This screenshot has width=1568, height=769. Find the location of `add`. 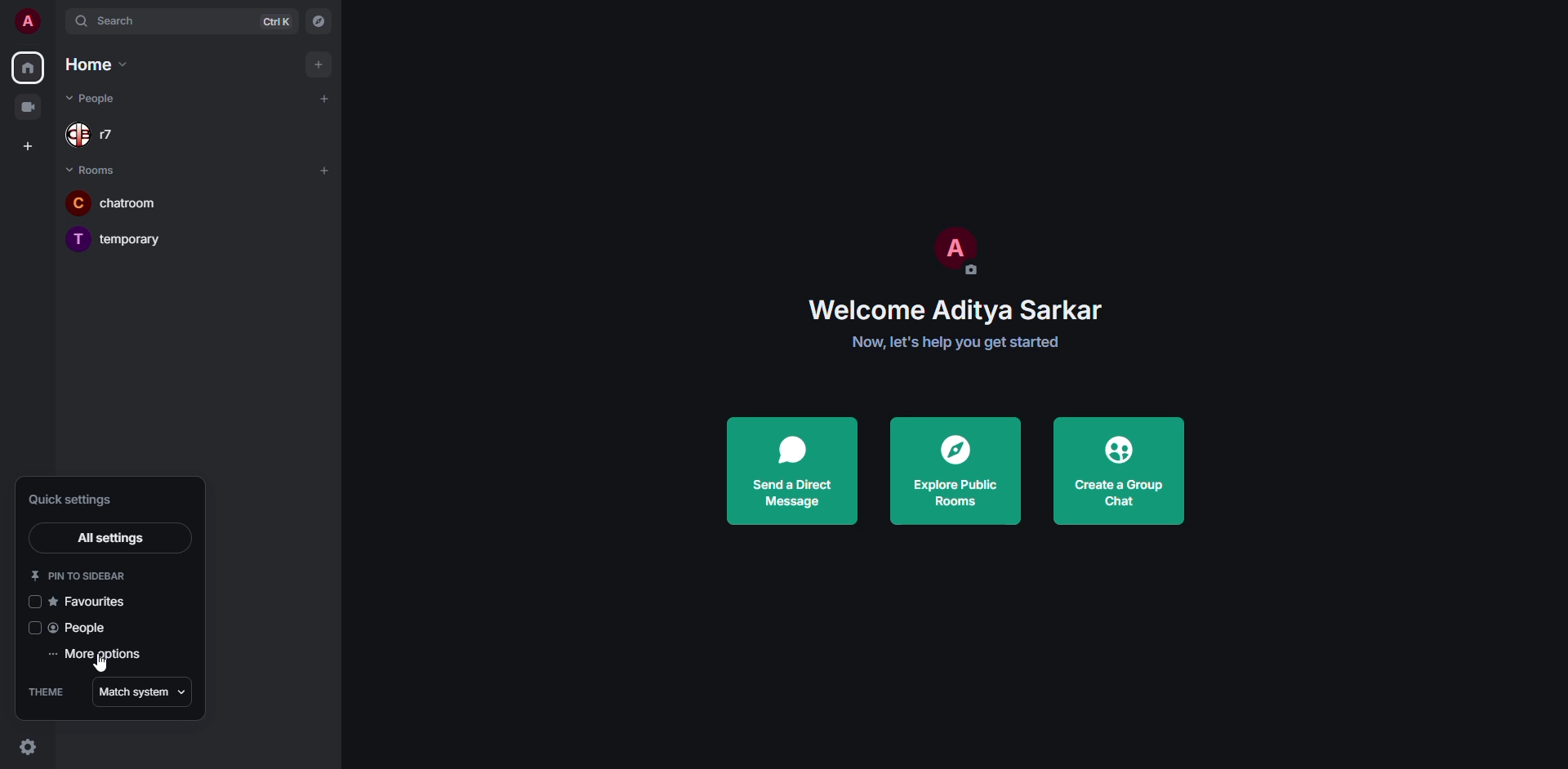

add is located at coordinates (314, 63).